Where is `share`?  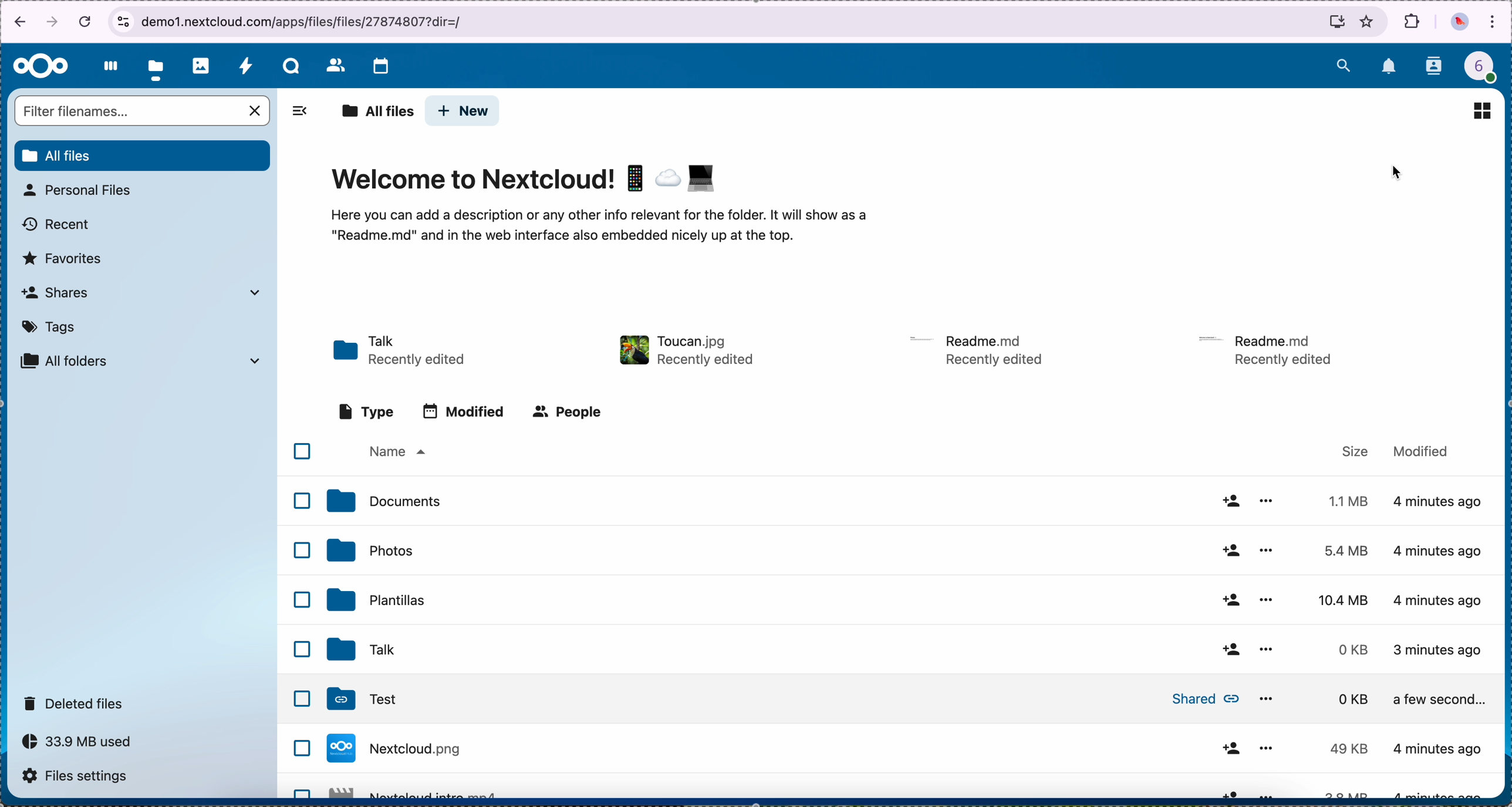 share is located at coordinates (1229, 748).